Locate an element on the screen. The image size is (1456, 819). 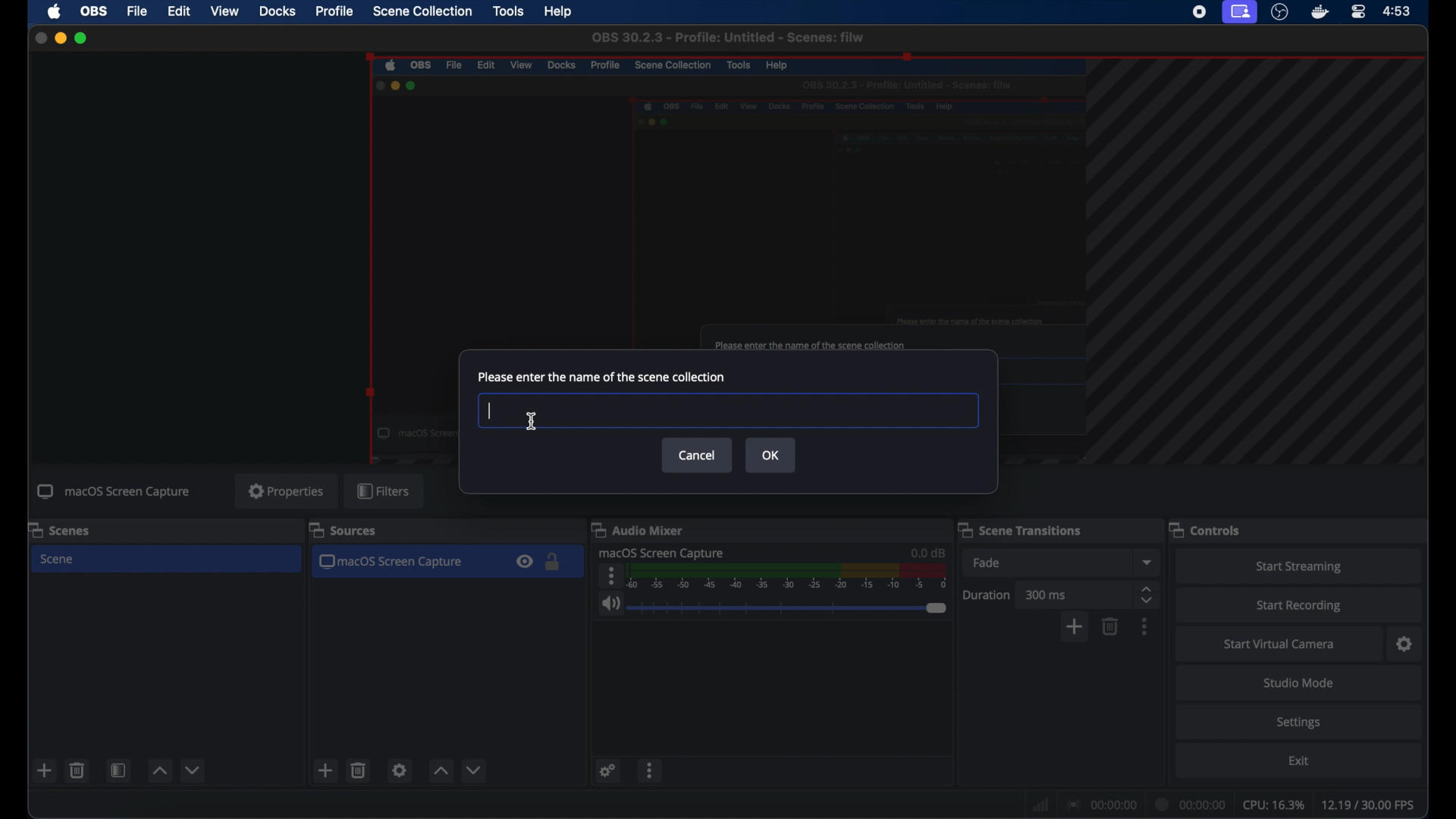
macOS screen capture is located at coordinates (663, 553).